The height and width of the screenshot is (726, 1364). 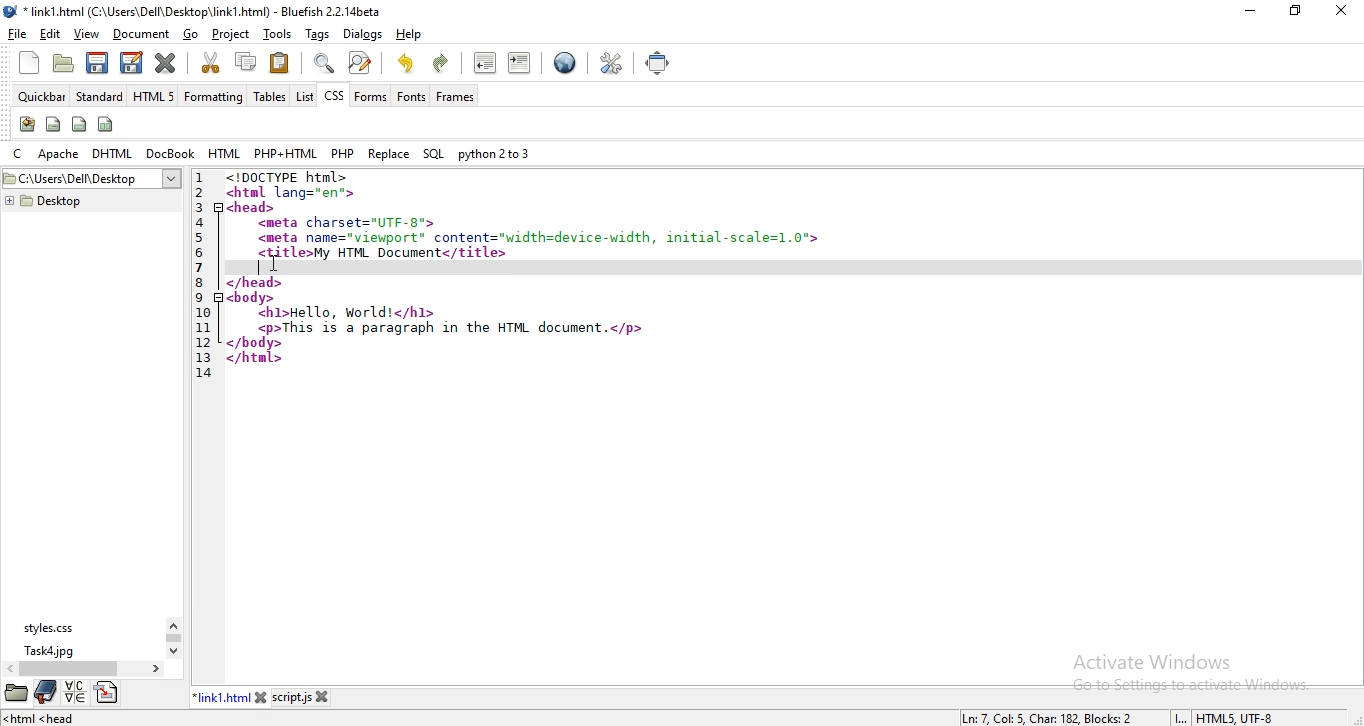 What do you see at coordinates (371, 97) in the screenshot?
I see `forms` at bounding box center [371, 97].